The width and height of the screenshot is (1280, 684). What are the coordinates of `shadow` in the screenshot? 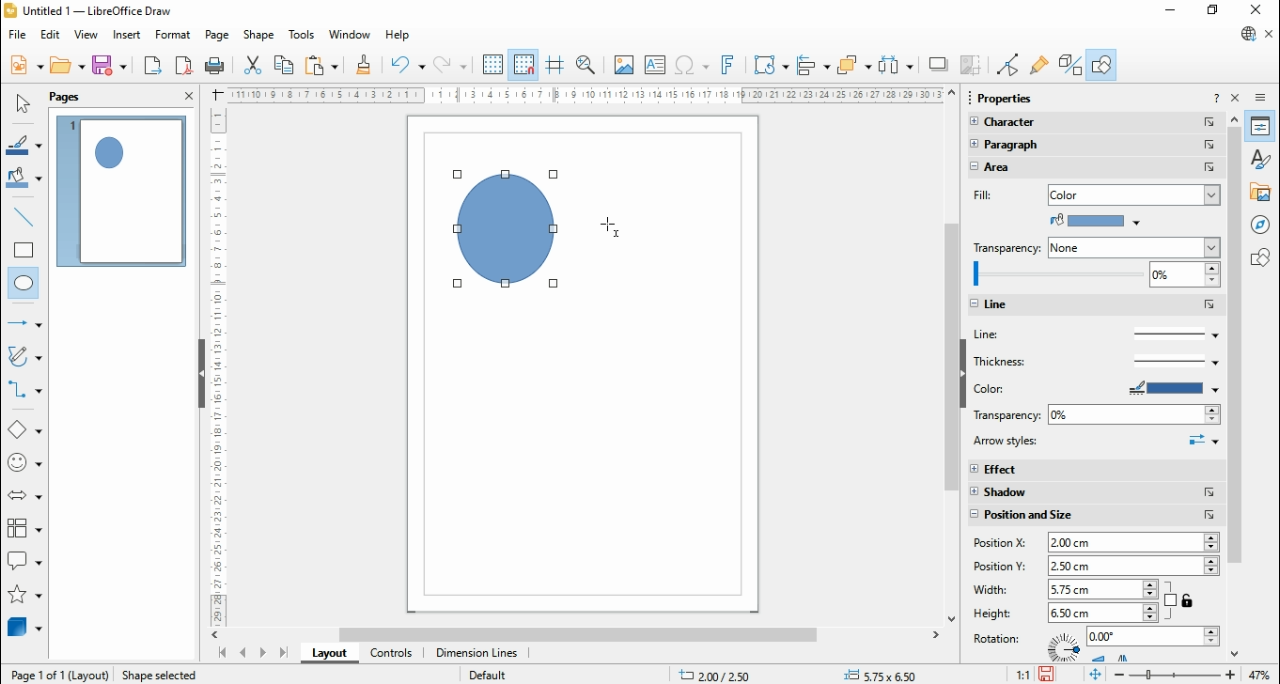 It's located at (939, 64).